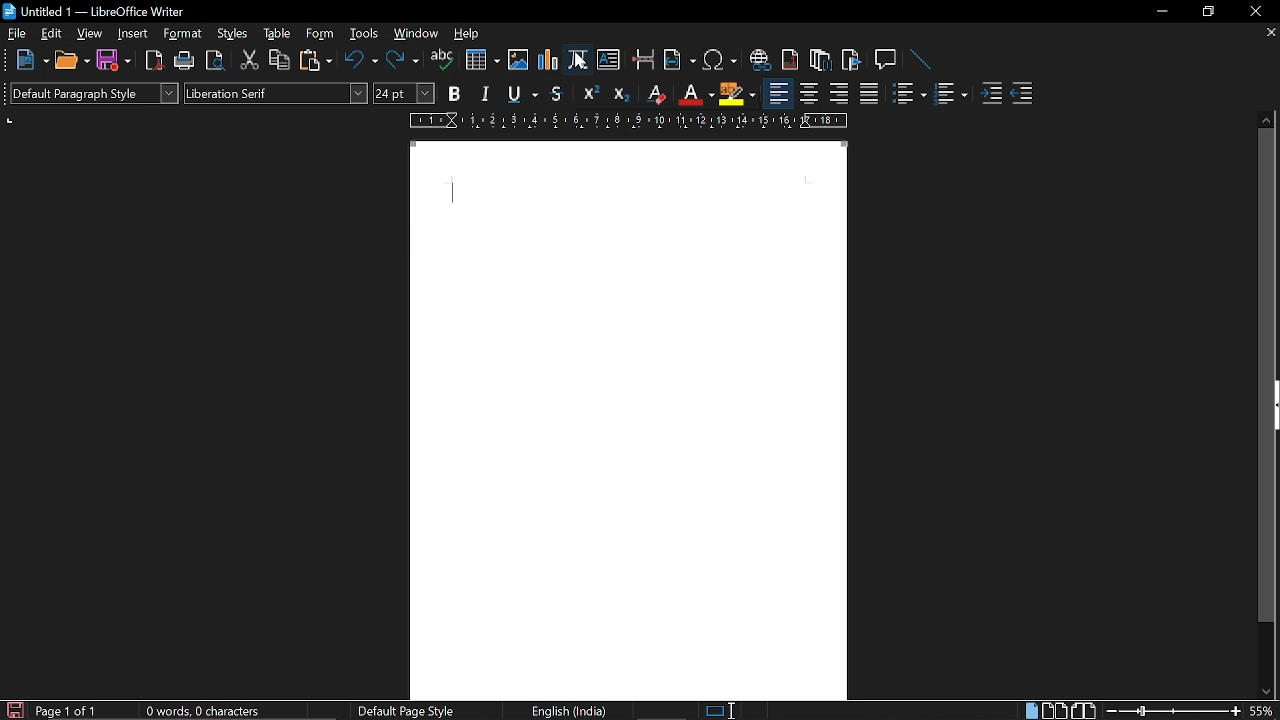 Image resolution: width=1280 pixels, height=720 pixels. Describe the element at coordinates (557, 93) in the screenshot. I see `strikethrough` at that location.